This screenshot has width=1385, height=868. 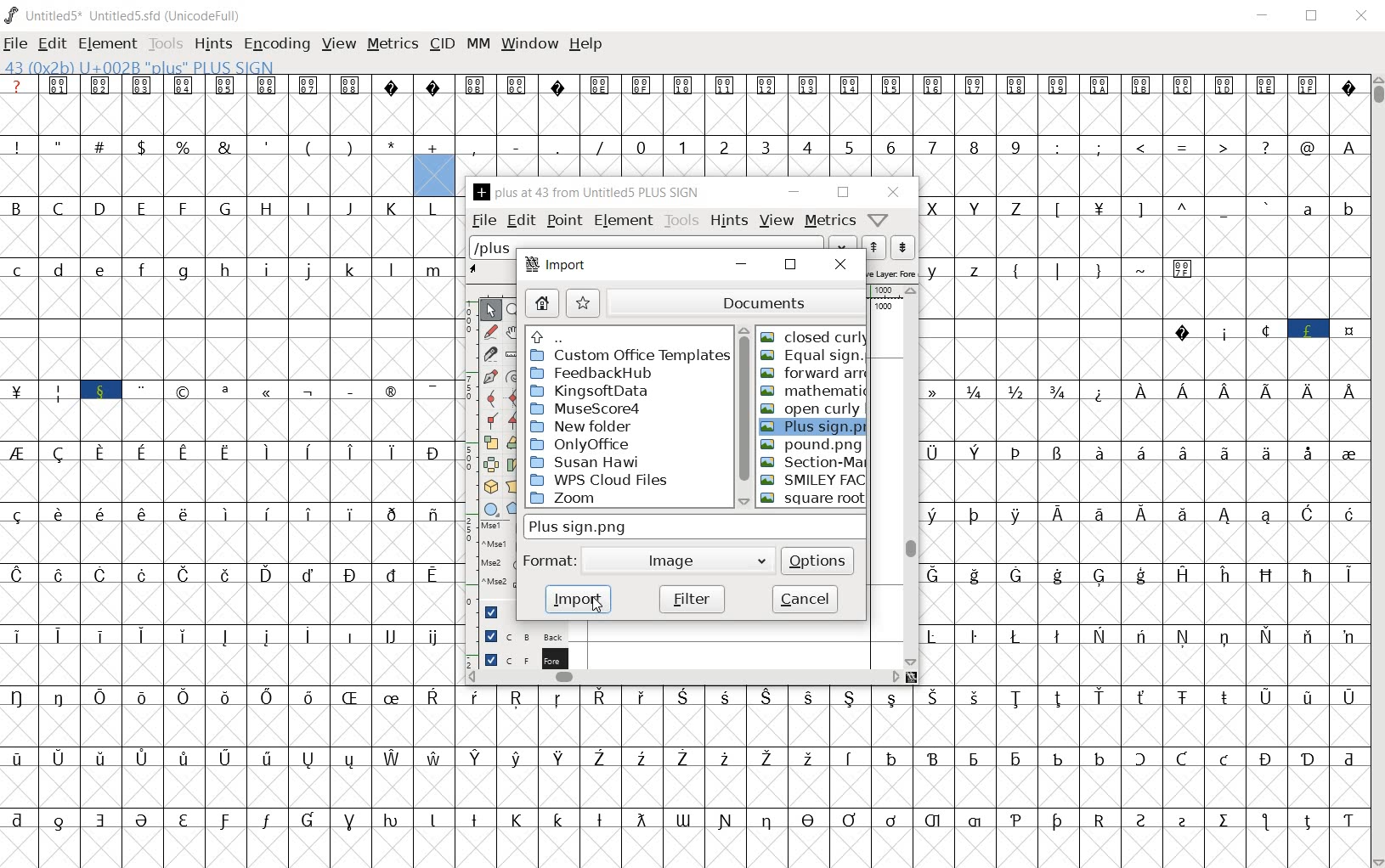 I want to click on background, so click(x=517, y=635).